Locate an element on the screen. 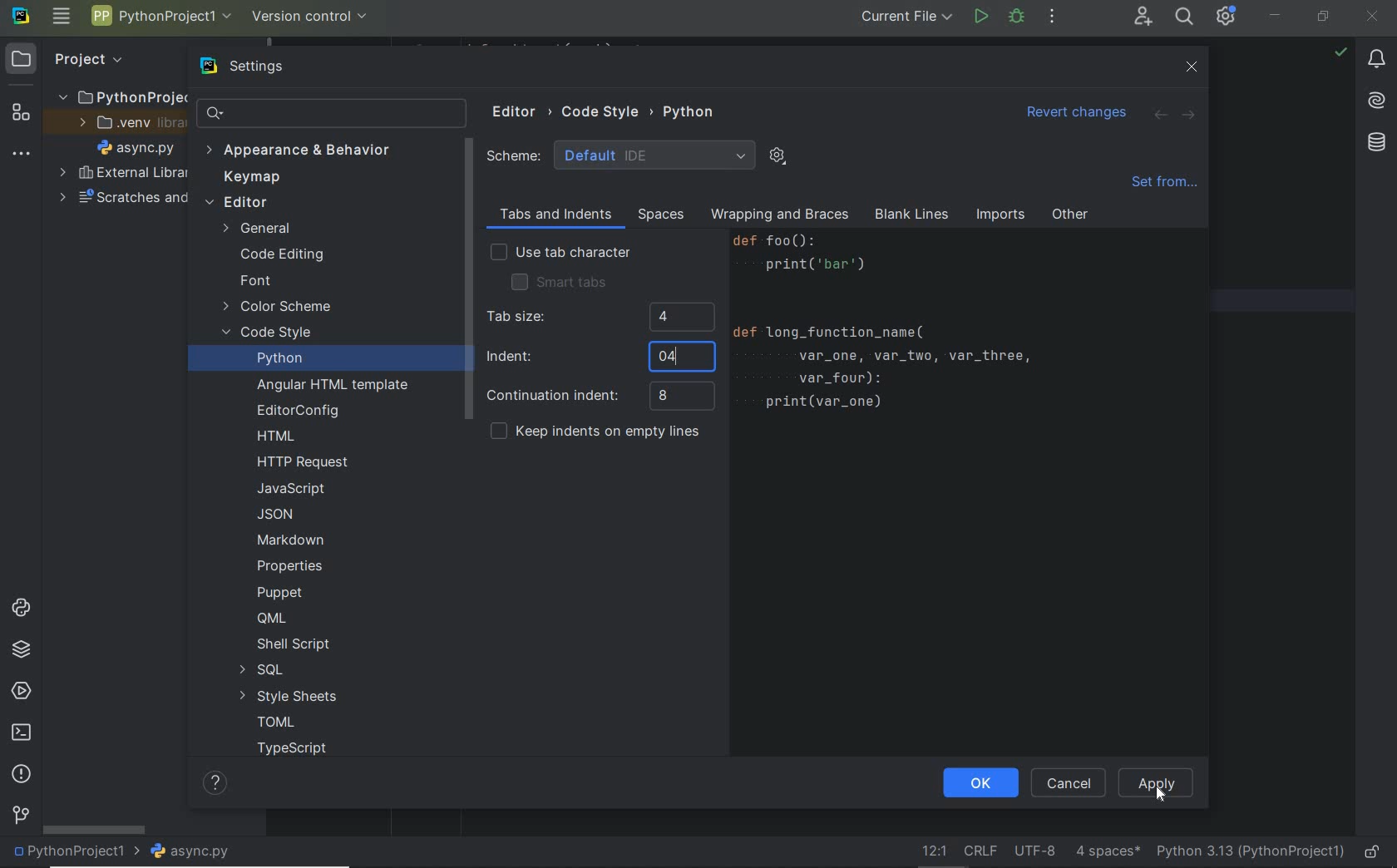  python console is located at coordinates (24, 609).